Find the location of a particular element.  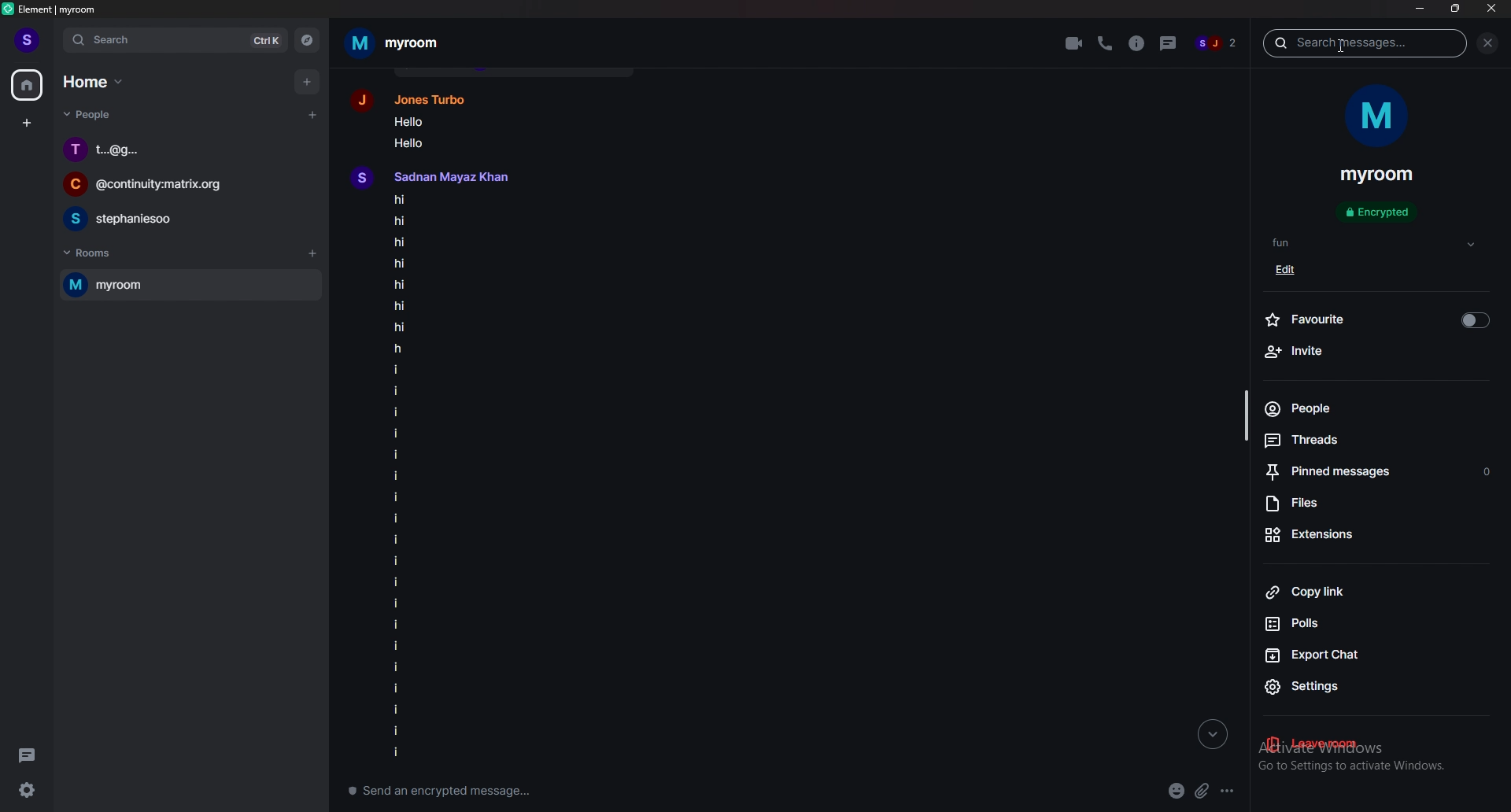

resize is located at coordinates (1457, 8).